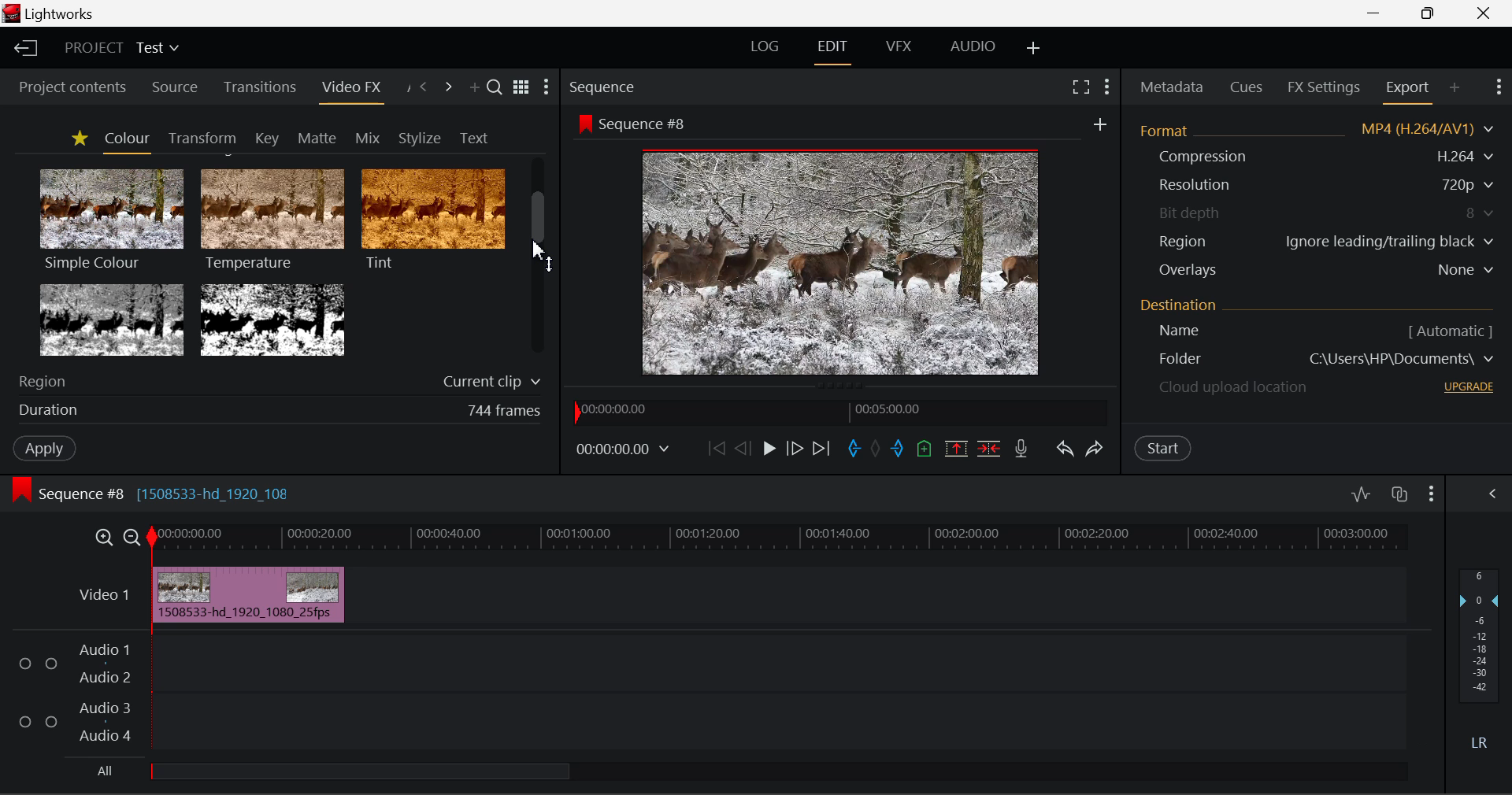 This screenshot has width=1512, height=795. What do you see at coordinates (844, 261) in the screenshot?
I see `Sequence Preview Screen` at bounding box center [844, 261].